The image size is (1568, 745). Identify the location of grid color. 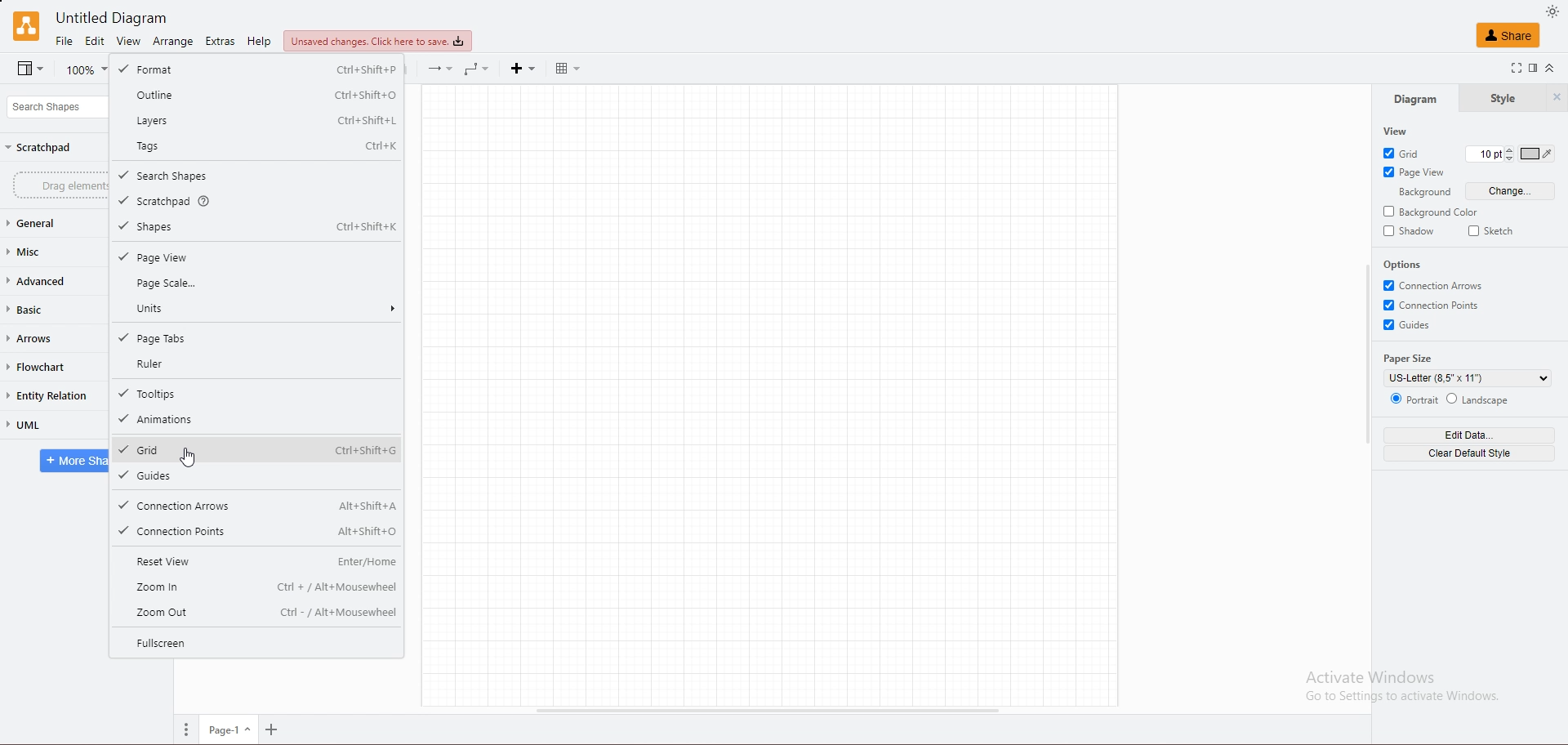
(1538, 154).